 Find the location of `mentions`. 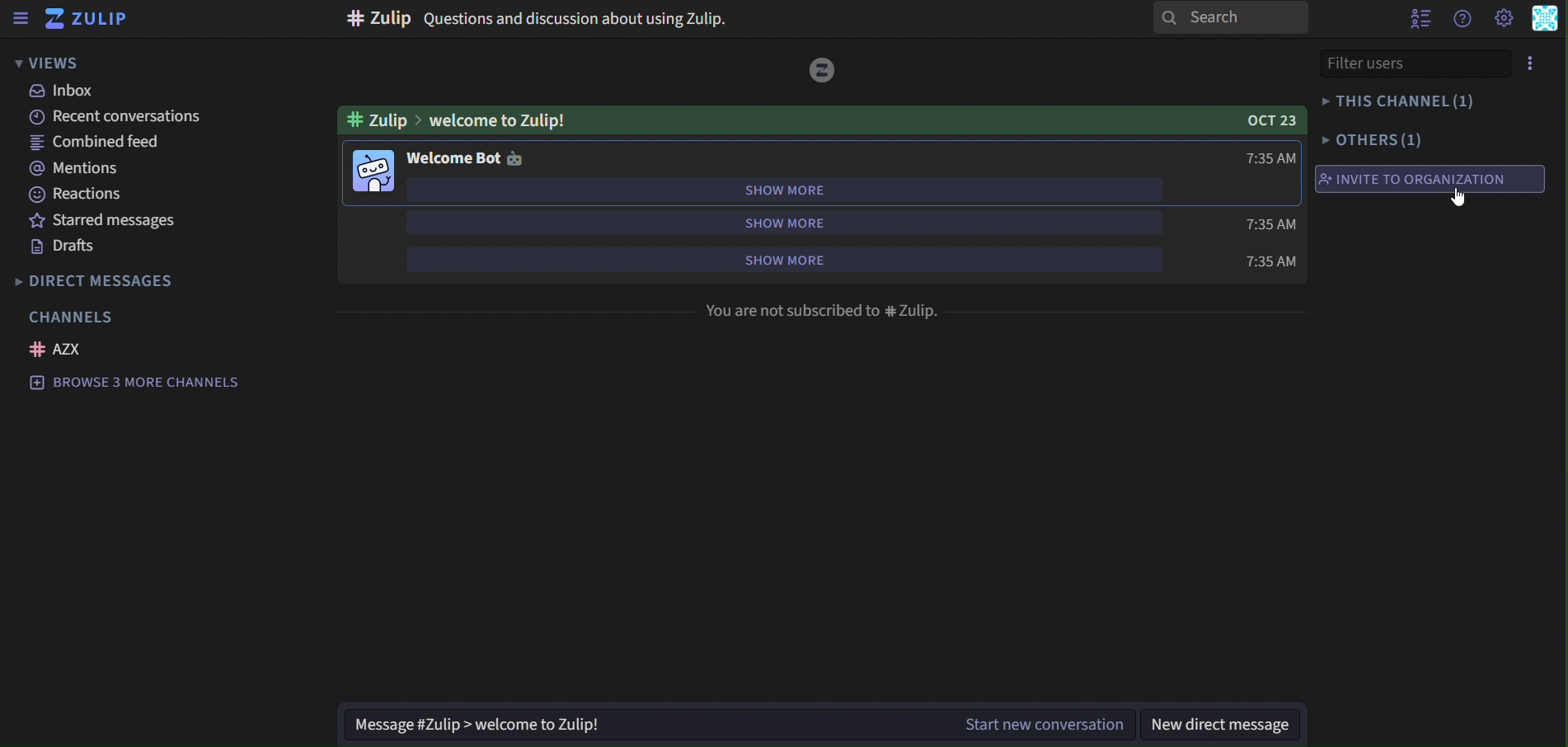

mentions is located at coordinates (76, 168).